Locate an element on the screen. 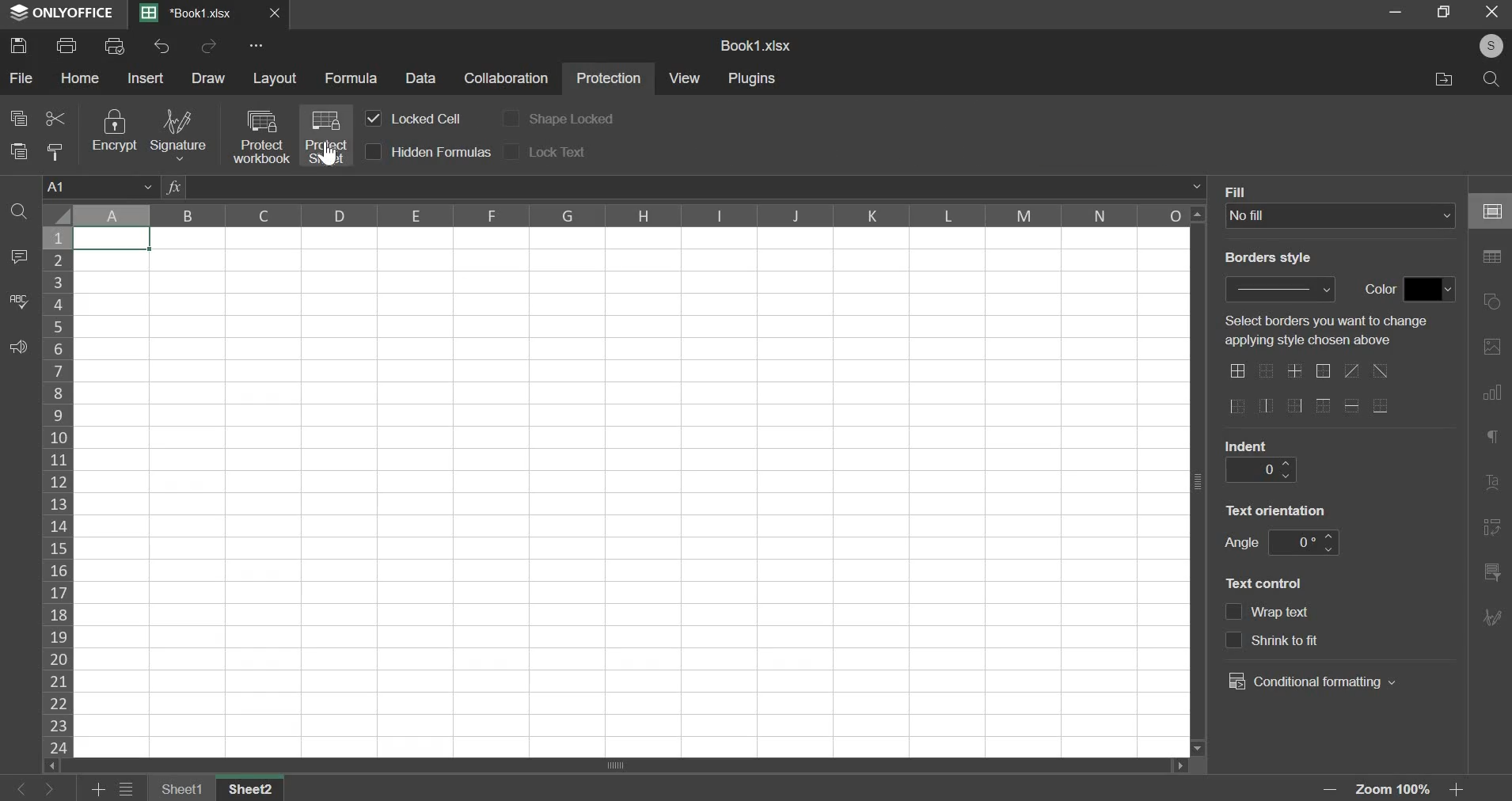 This screenshot has width=1512, height=801. undo is located at coordinates (162, 46).